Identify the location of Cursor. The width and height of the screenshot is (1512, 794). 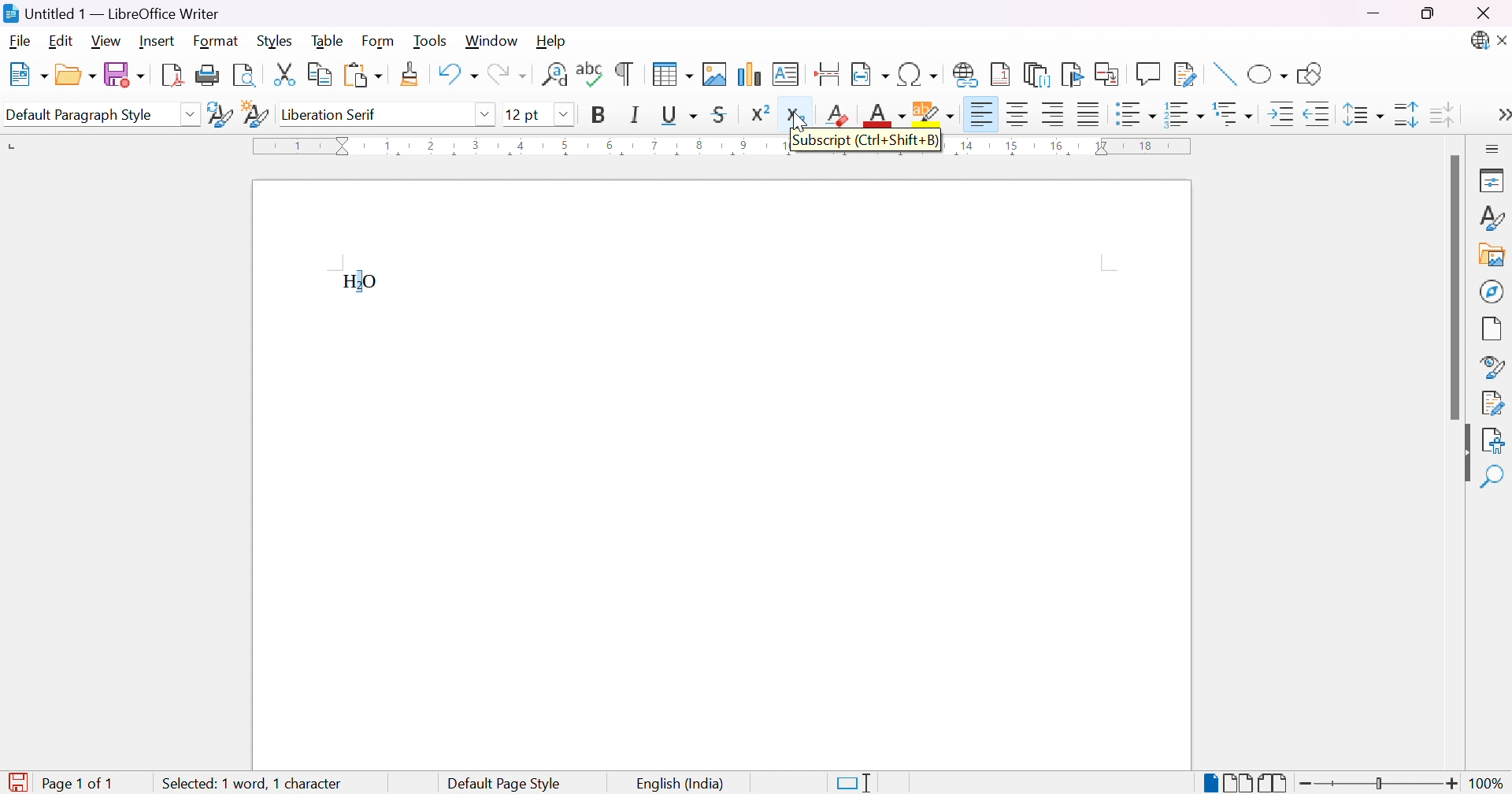
(793, 117).